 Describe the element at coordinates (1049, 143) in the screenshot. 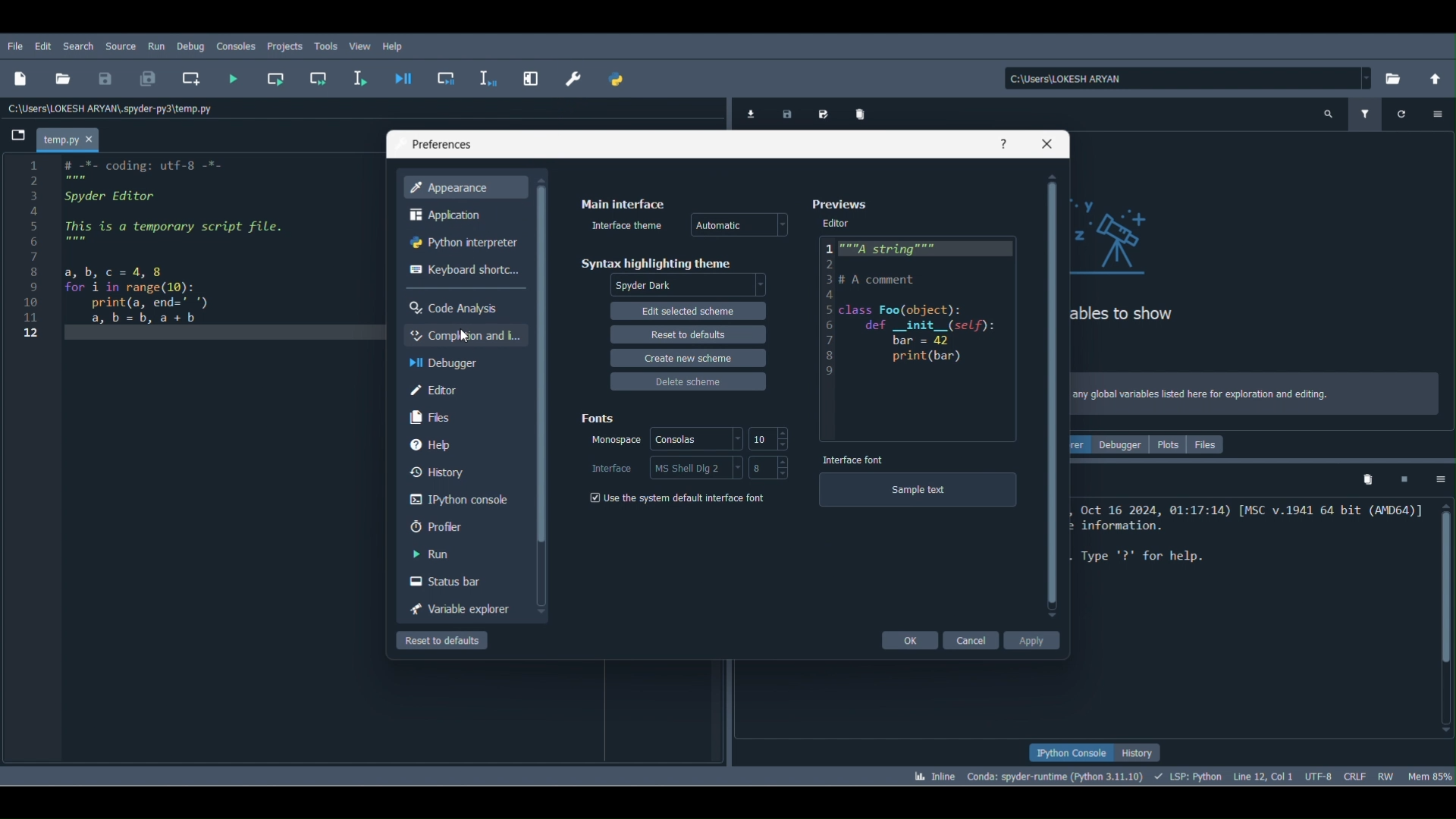

I see `Close` at that location.